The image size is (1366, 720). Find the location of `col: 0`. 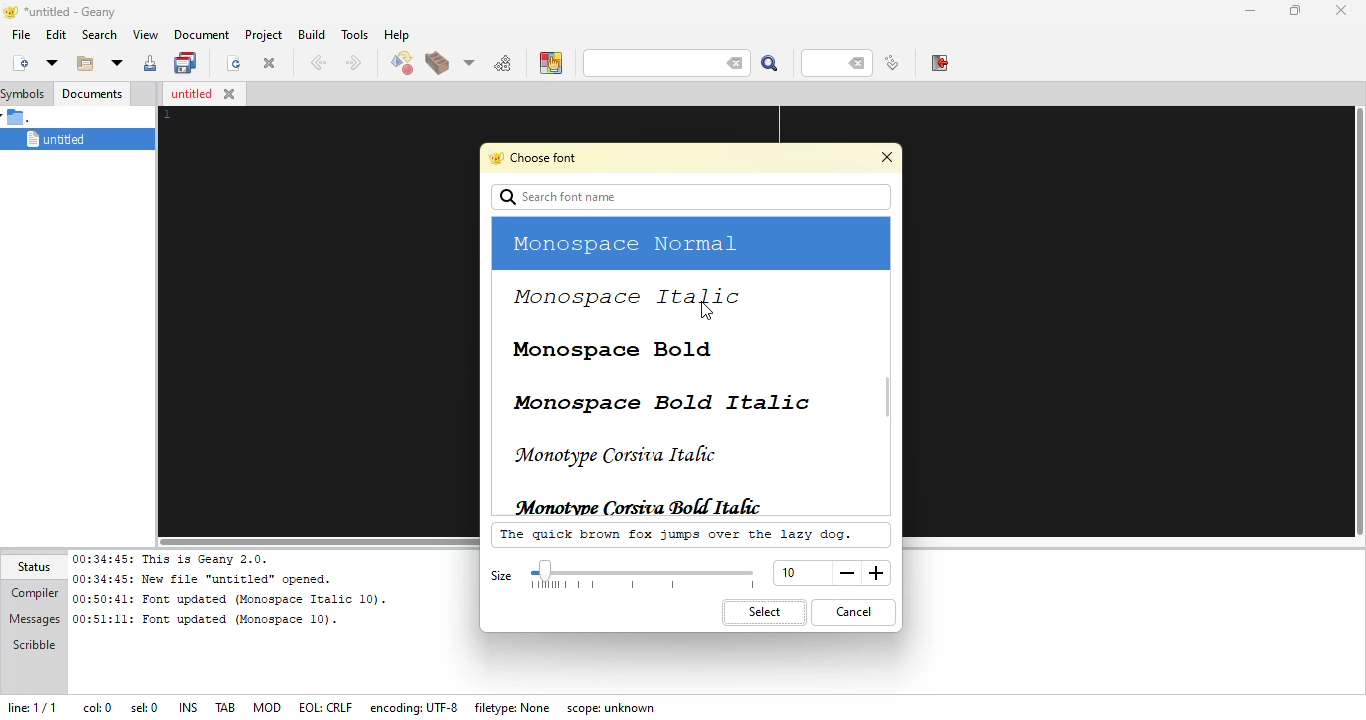

col: 0 is located at coordinates (97, 708).